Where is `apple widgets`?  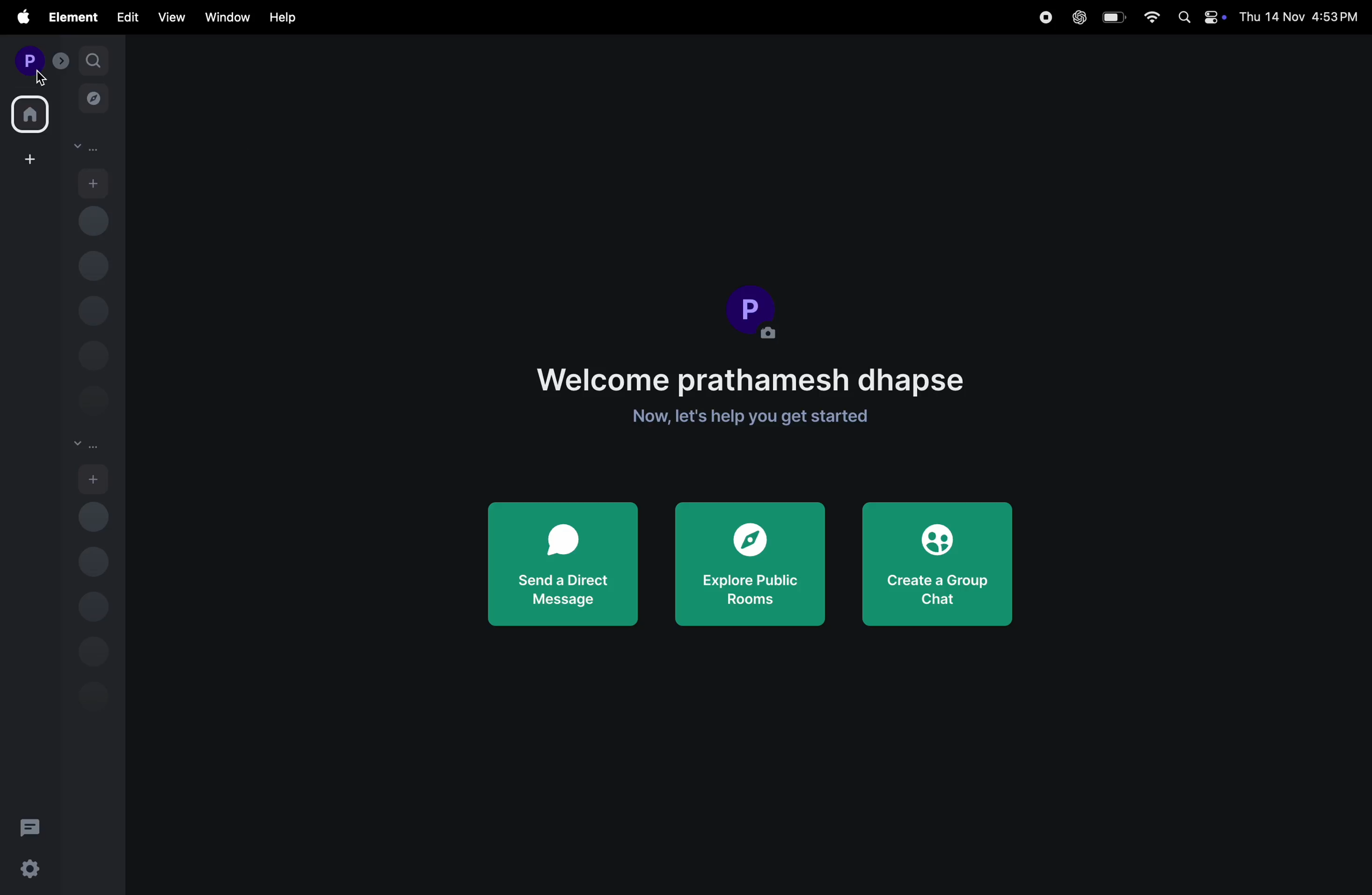
apple widgets is located at coordinates (1216, 20).